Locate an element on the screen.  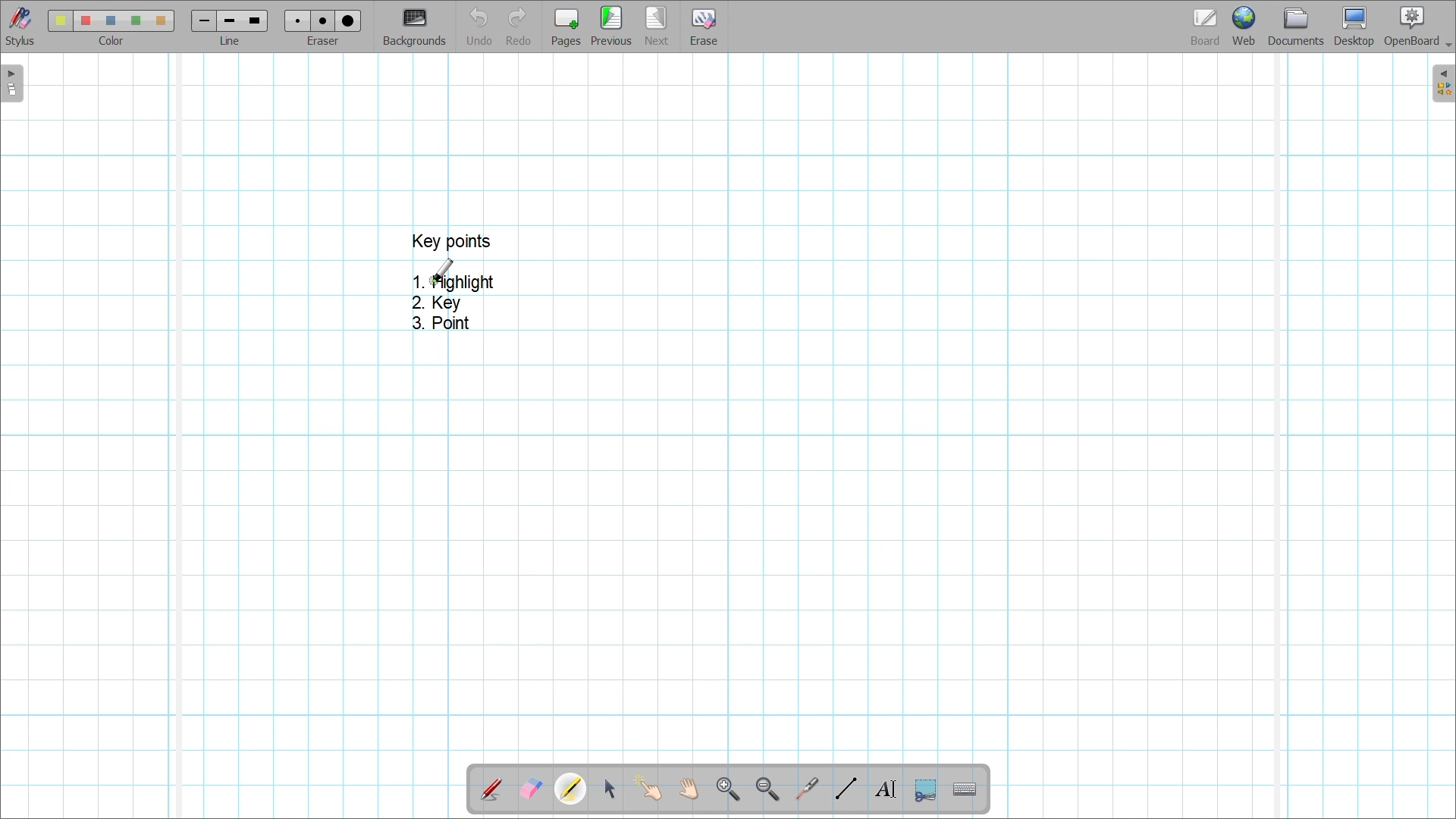
Desktop is located at coordinates (1354, 27).